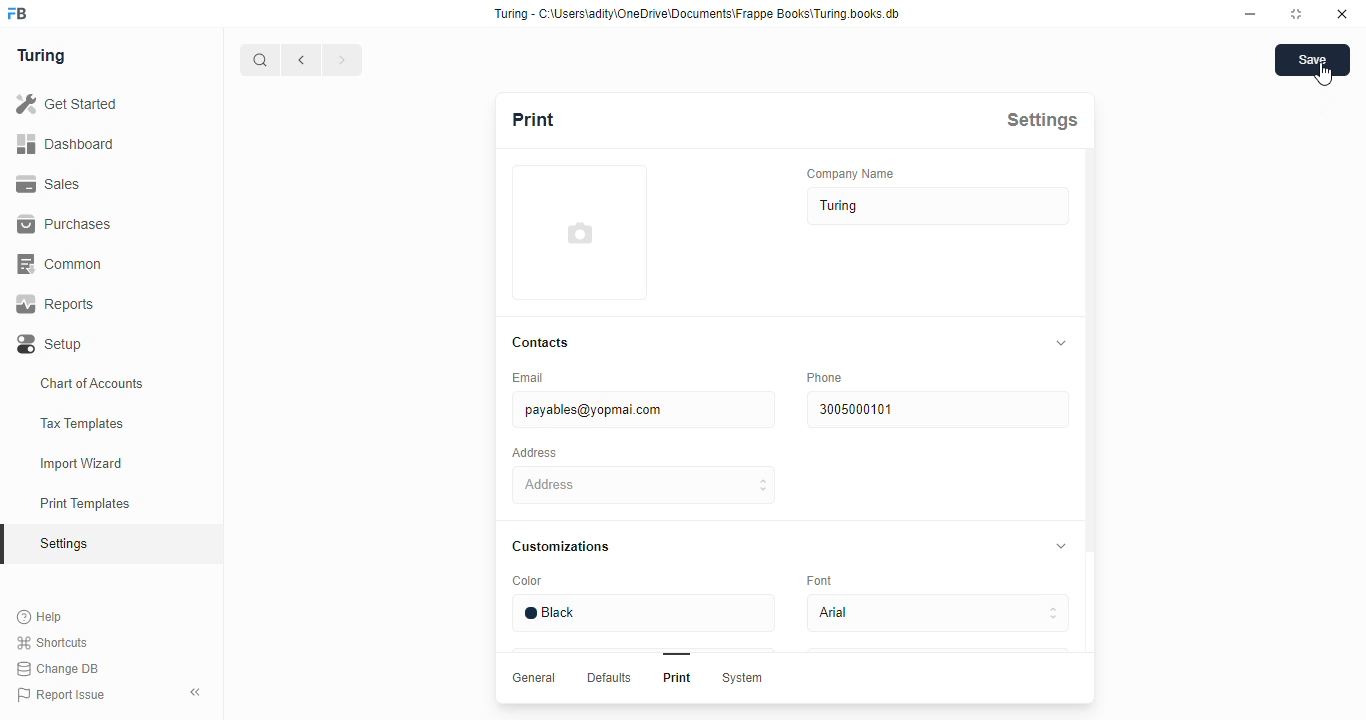  I want to click on Shortcuts, so click(57, 642).